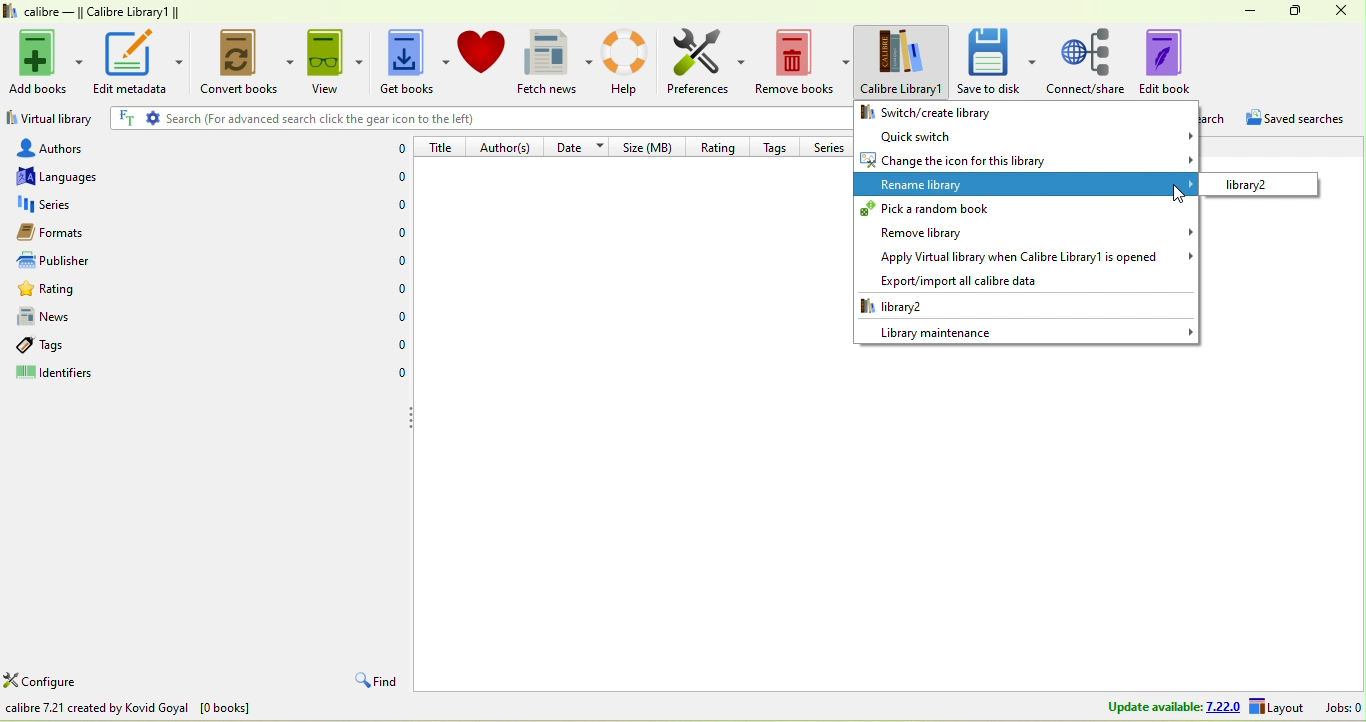 The height and width of the screenshot is (722, 1366). I want to click on librery maintain, so click(1026, 331).